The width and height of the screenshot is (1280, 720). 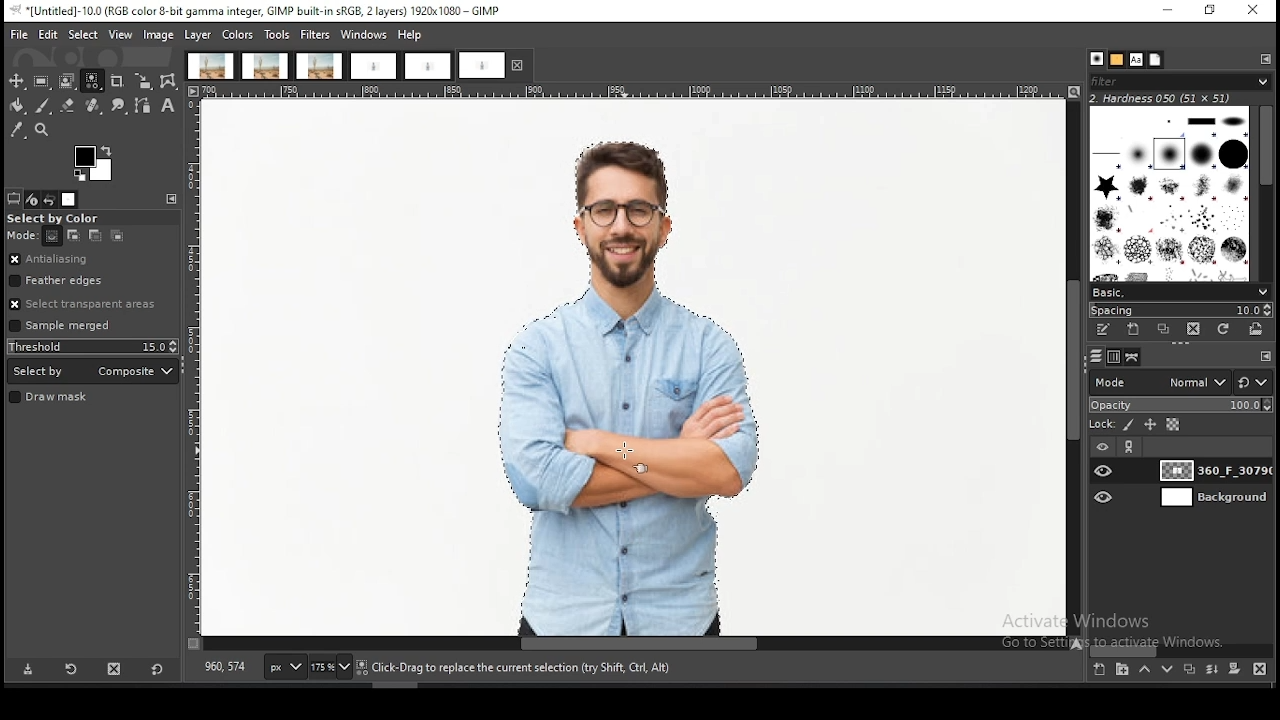 What do you see at coordinates (1136, 60) in the screenshot?
I see `fonts` at bounding box center [1136, 60].